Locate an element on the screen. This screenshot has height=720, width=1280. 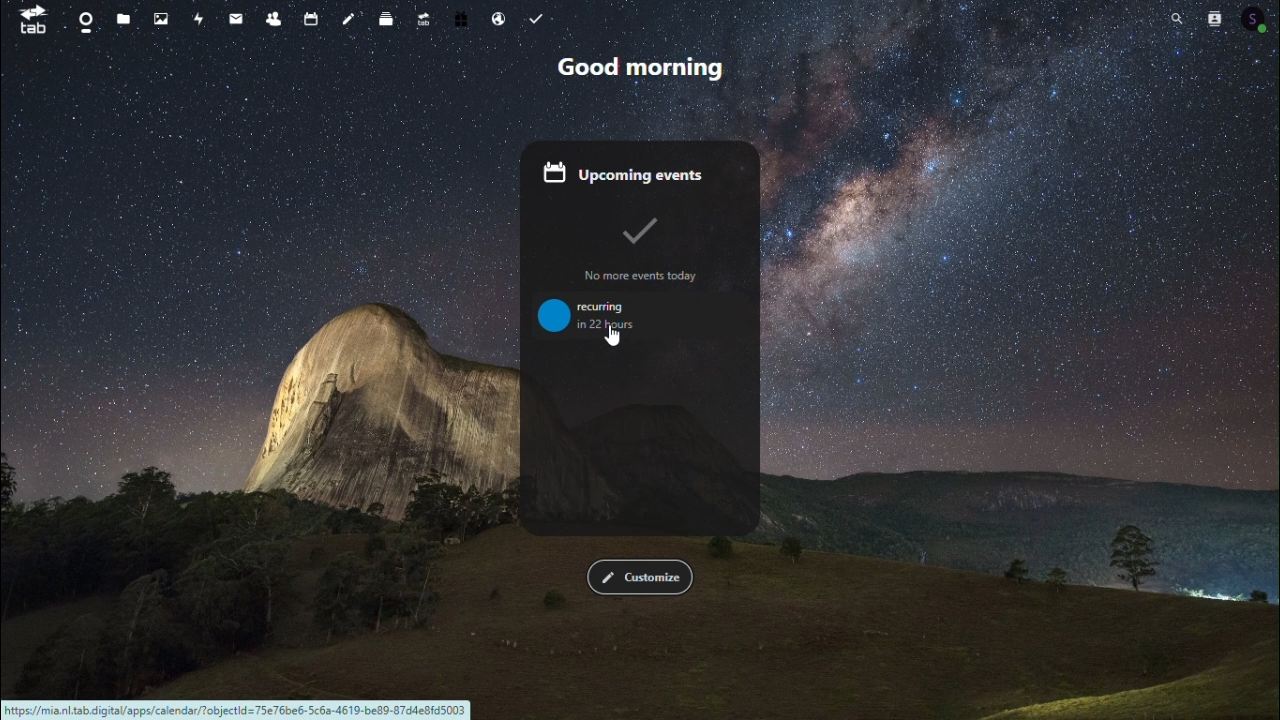
cursor is located at coordinates (617, 338).